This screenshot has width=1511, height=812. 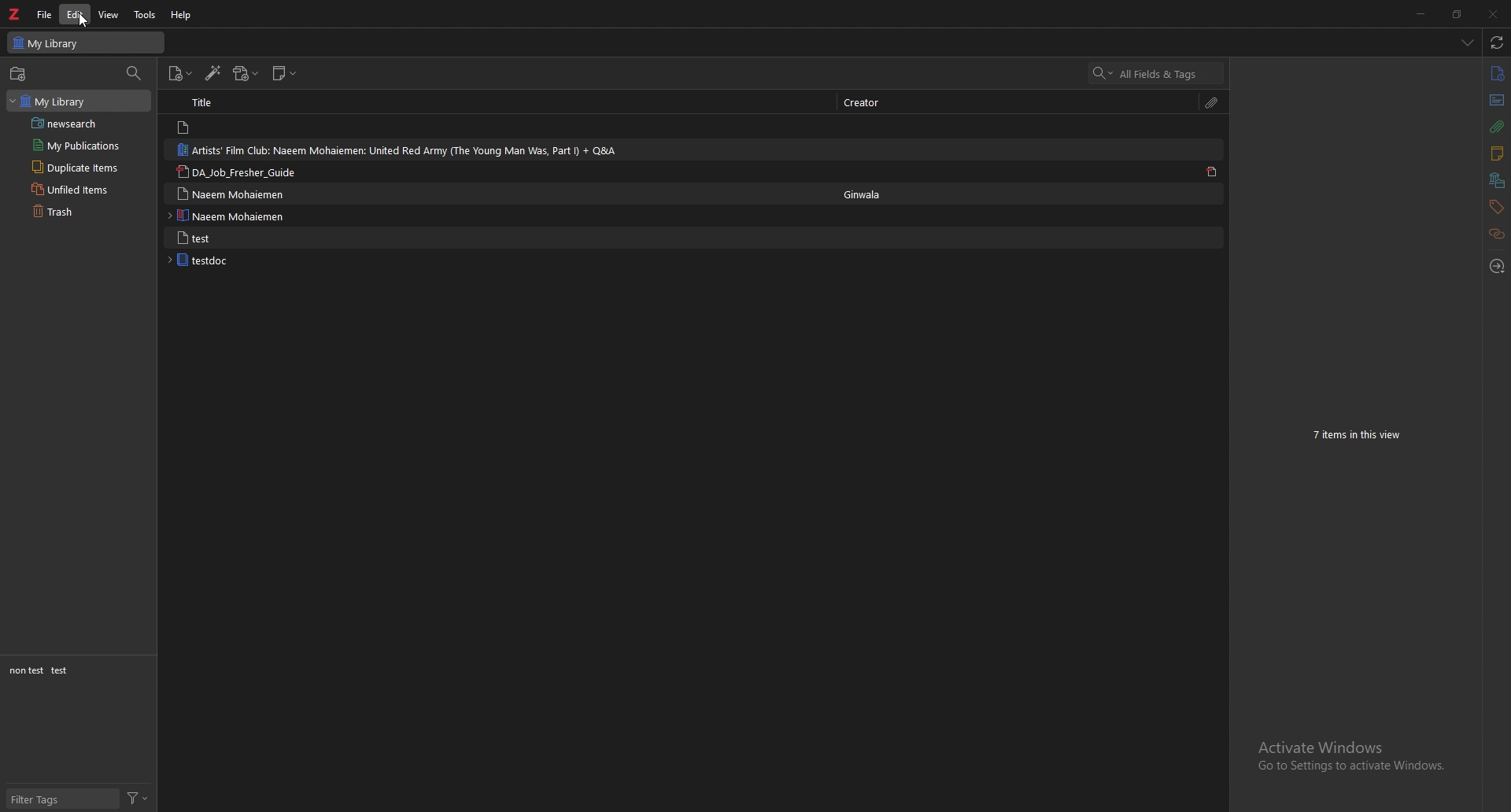 What do you see at coordinates (1495, 153) in the screenshot?
I see `notes` at bounding box center [1495, 153].